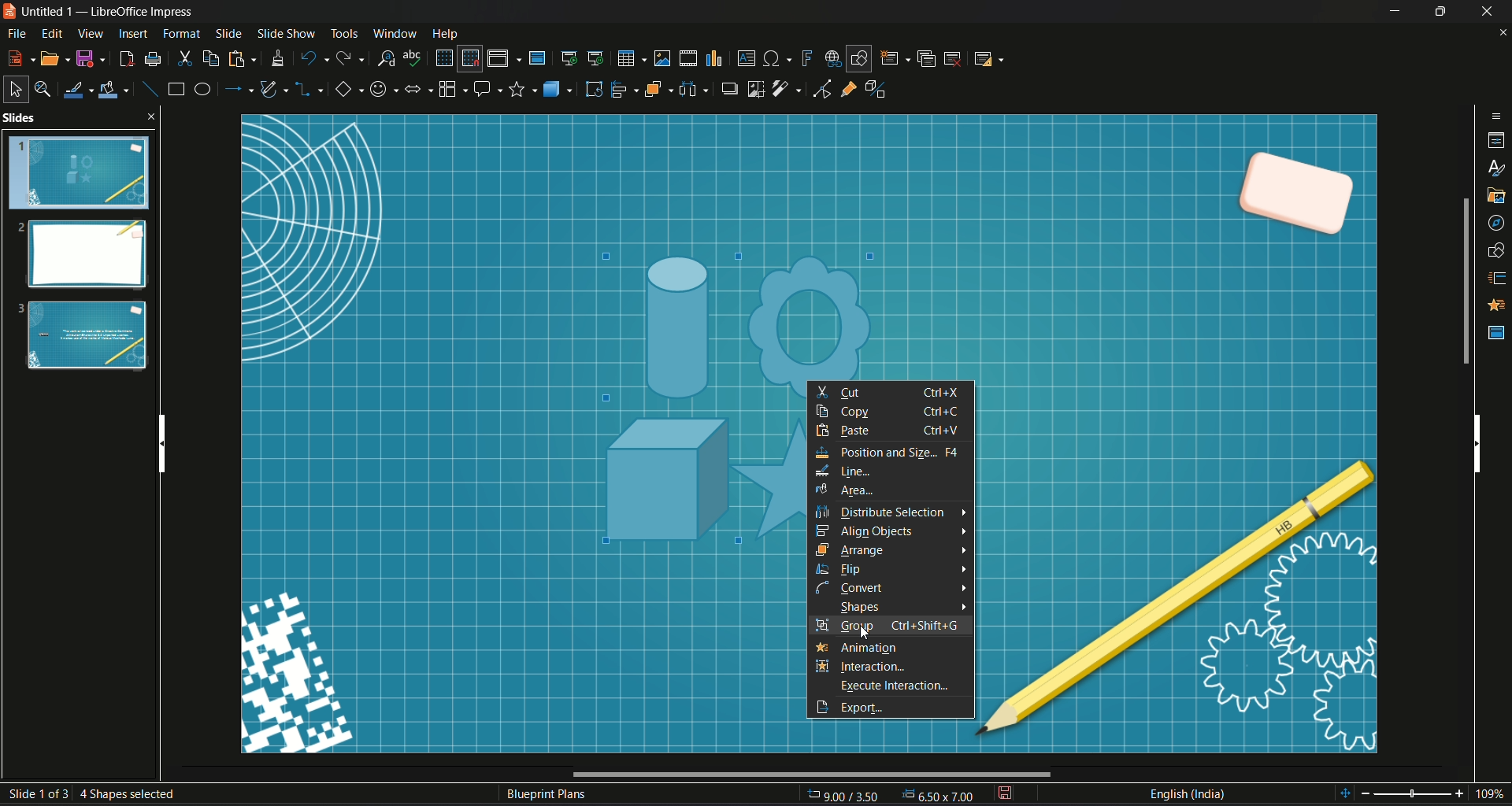 The image size is (1512, 806). I want to click on animation, so click(821, 647).